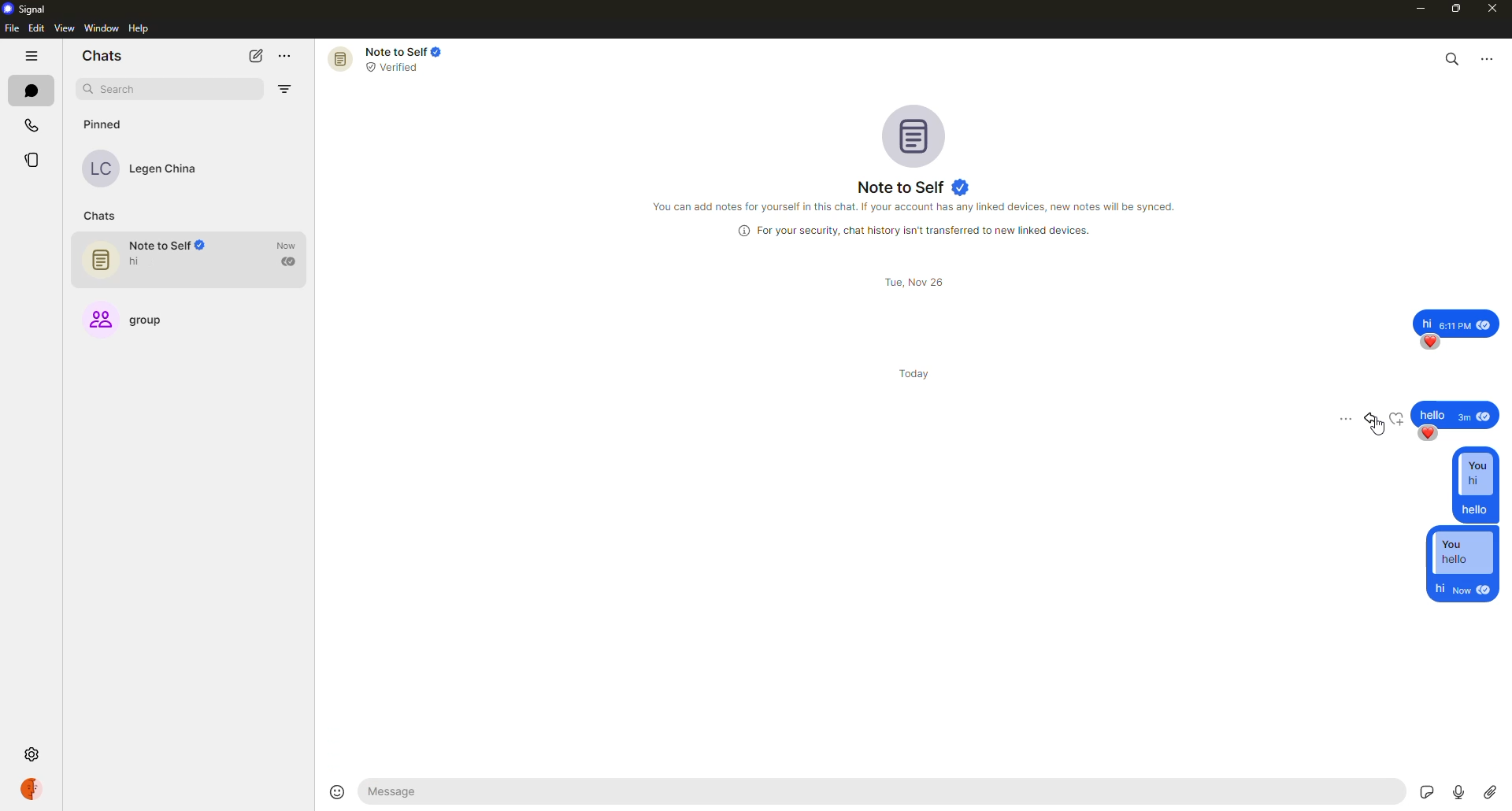 This screenshot has width=1512, height=811. I want to click on info, so click(914, 229).